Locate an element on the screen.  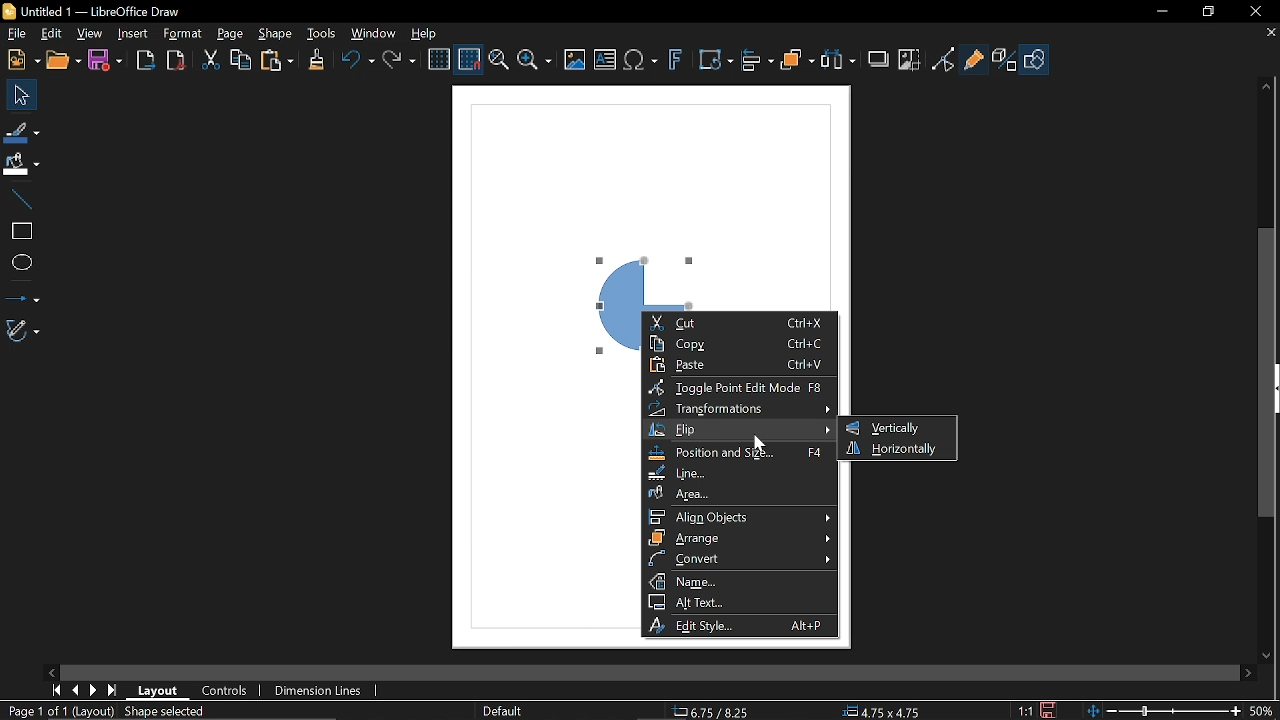
Move up is located at coordinates (1268, 83).